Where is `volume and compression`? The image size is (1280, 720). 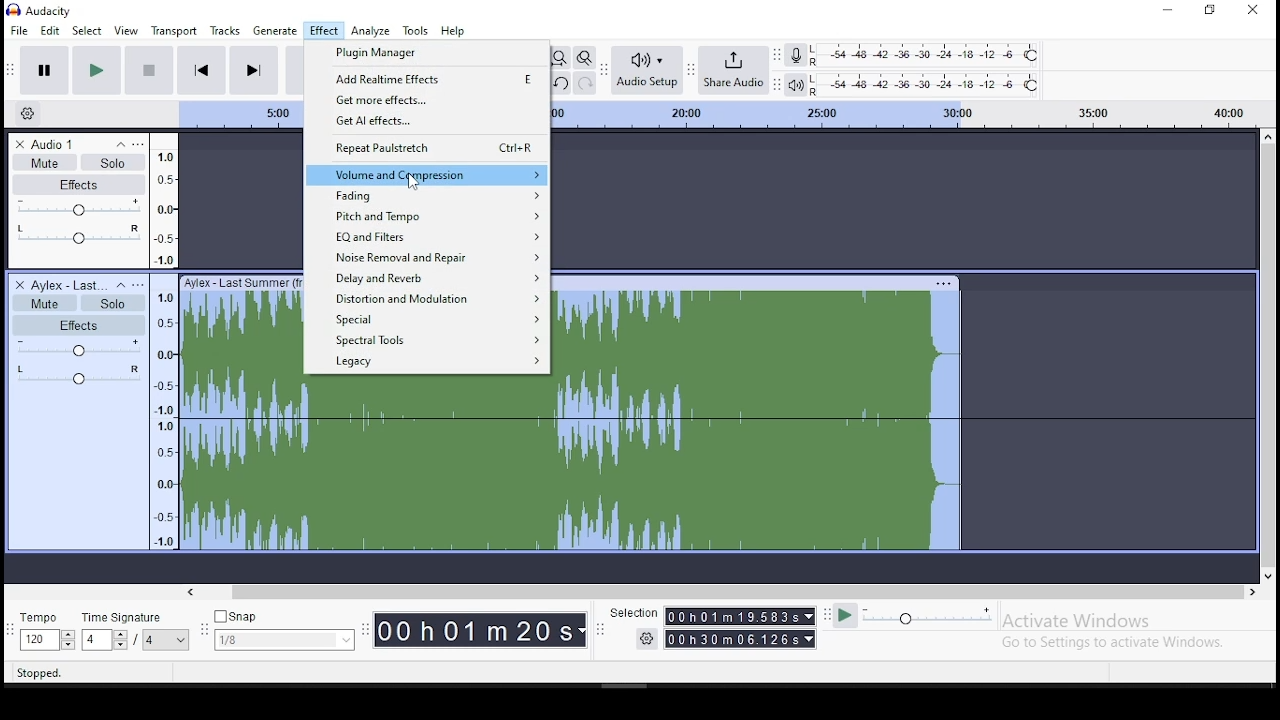
volume and compression is located at coordinates (426, 176).